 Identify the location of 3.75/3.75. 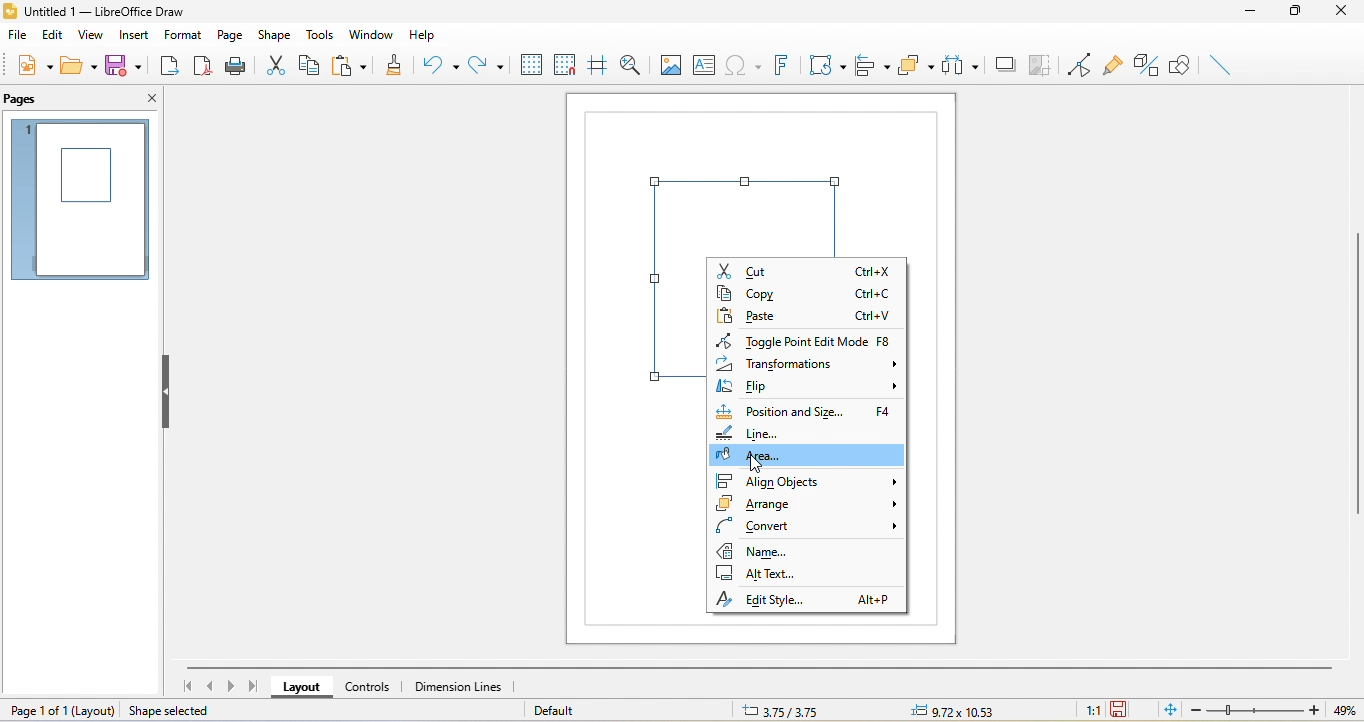
(777, 712).